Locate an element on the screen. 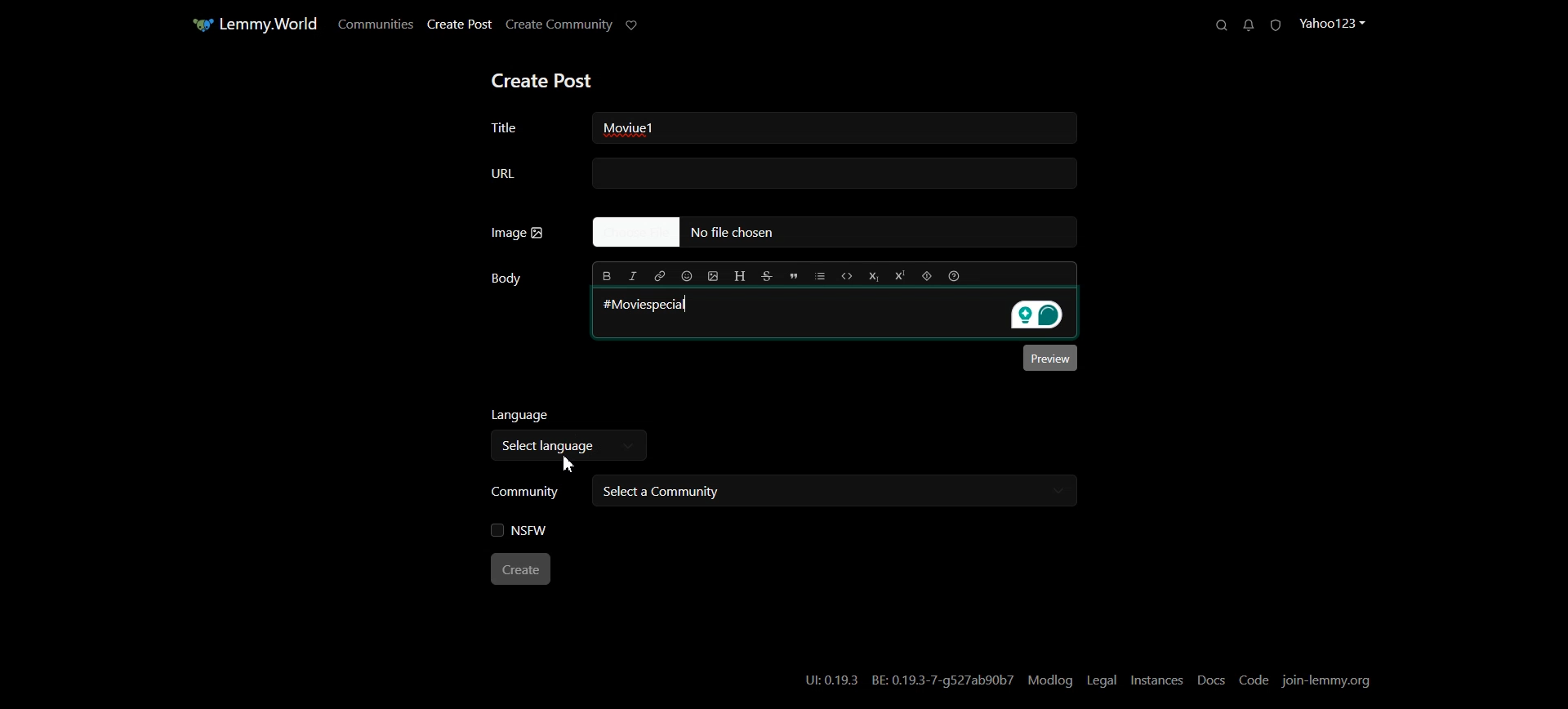  Grammarly extension is located at coordinates (1043, 316).